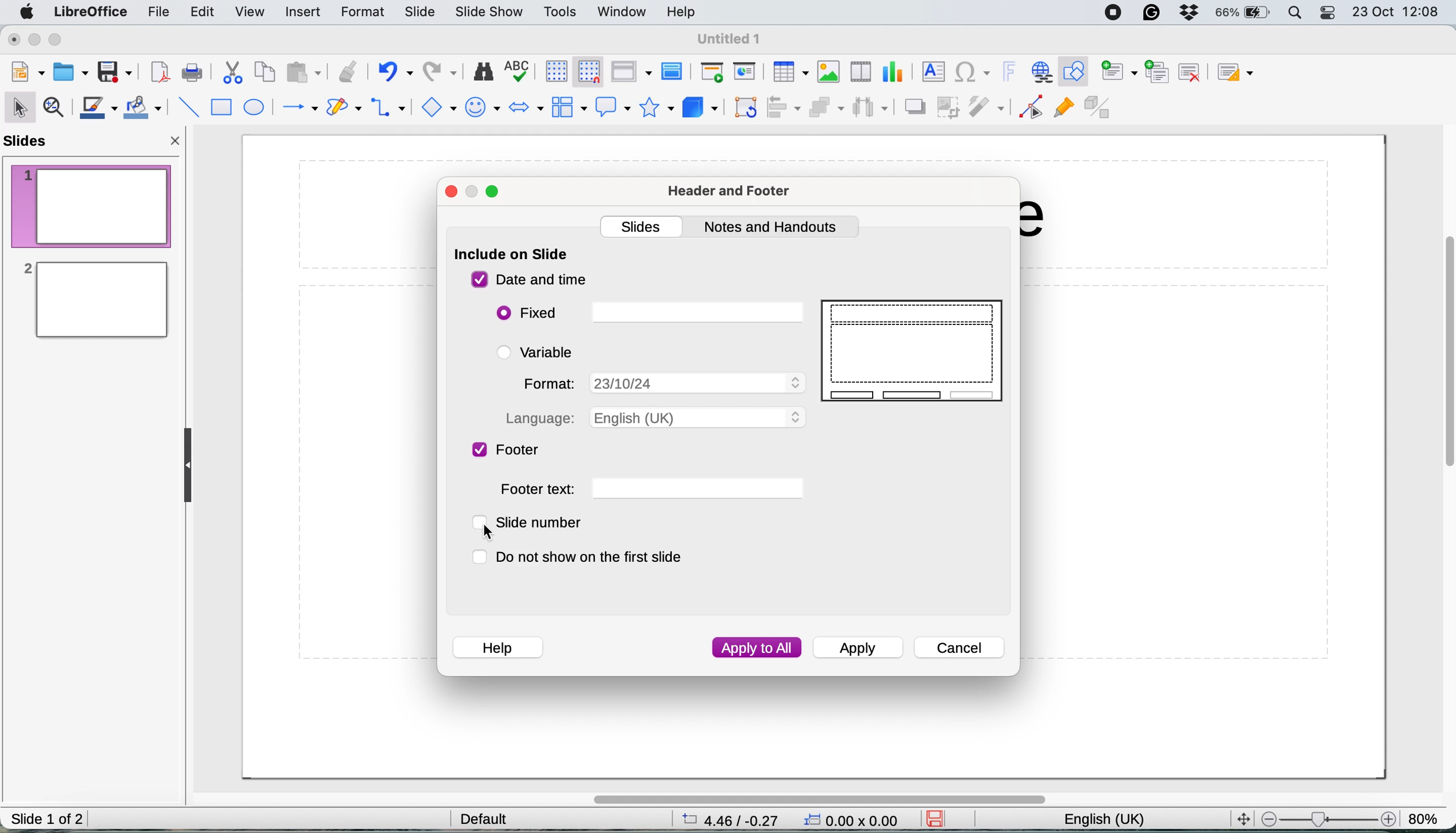 The width and height of the screenshot is (1456, 833). What do you see at coordinates (14, 39) in the screenshot?
I see `close` at bounding box center [14, 39].